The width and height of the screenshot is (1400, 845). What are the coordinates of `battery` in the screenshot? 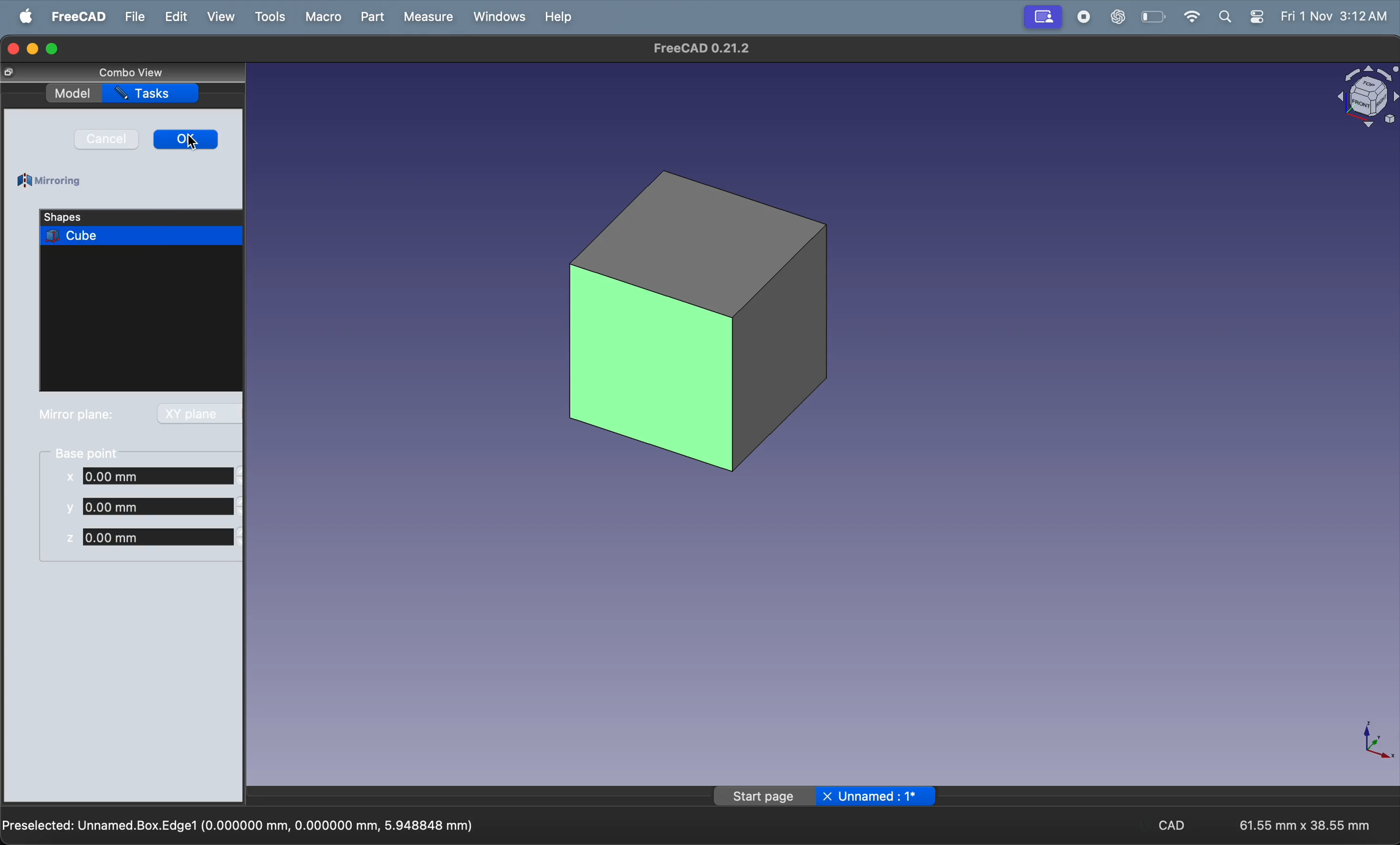 It's located at (1155, 17).